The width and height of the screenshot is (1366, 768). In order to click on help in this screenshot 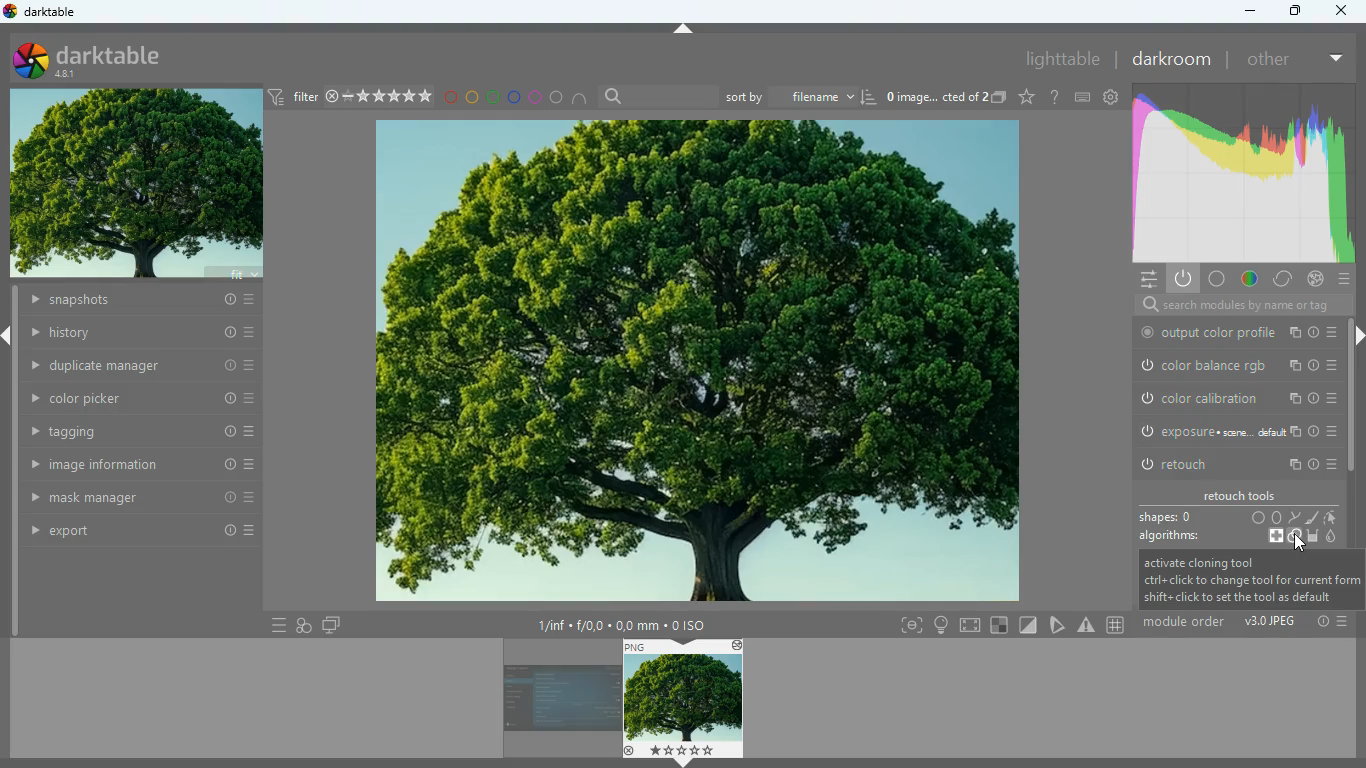, I will do `click(1054, 97)`.